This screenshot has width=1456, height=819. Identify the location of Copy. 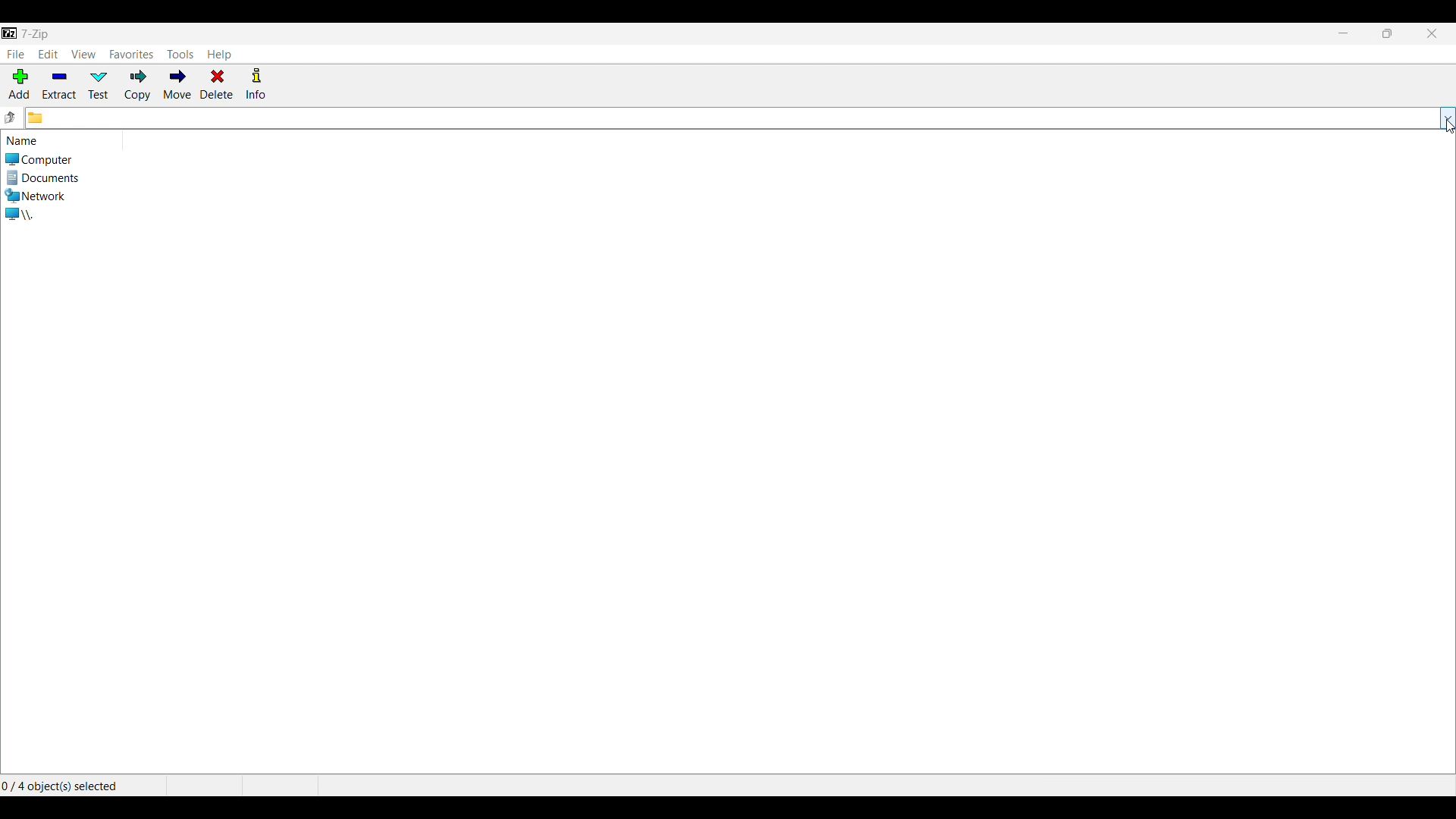
(137, 85).